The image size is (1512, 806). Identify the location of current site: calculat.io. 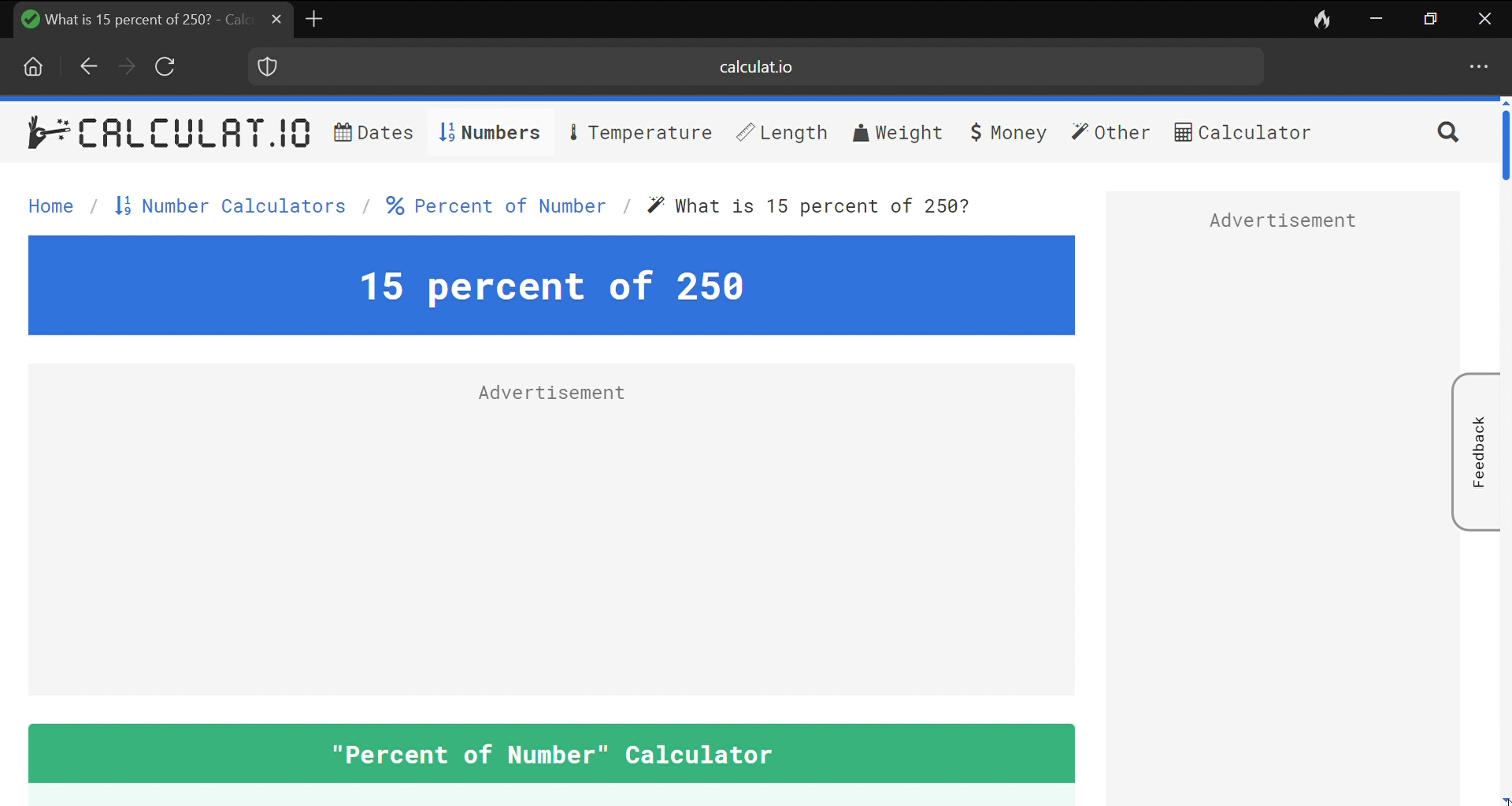
(765, 68).